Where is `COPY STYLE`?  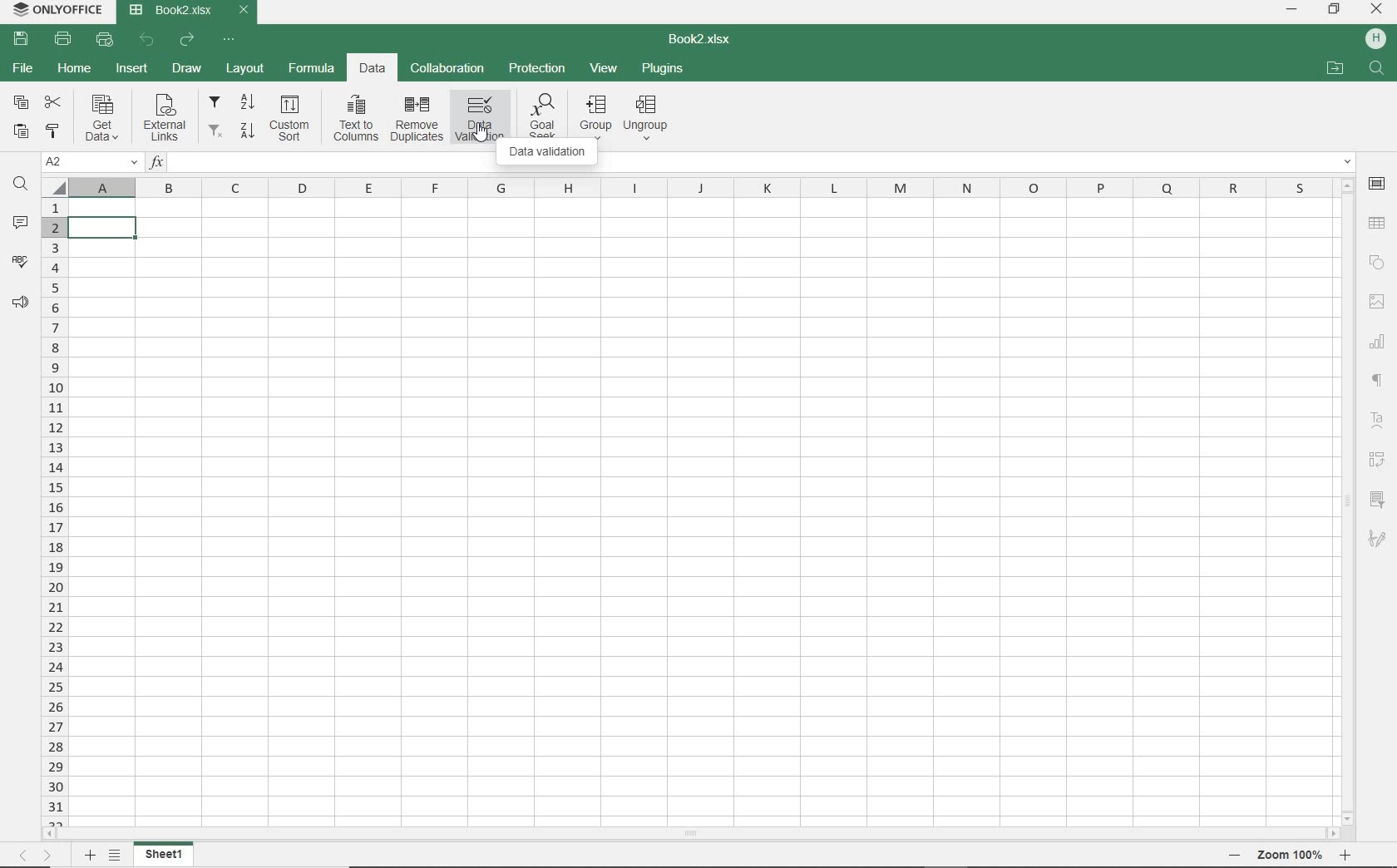
COPY STYLE is located at coordinates (54, 132).